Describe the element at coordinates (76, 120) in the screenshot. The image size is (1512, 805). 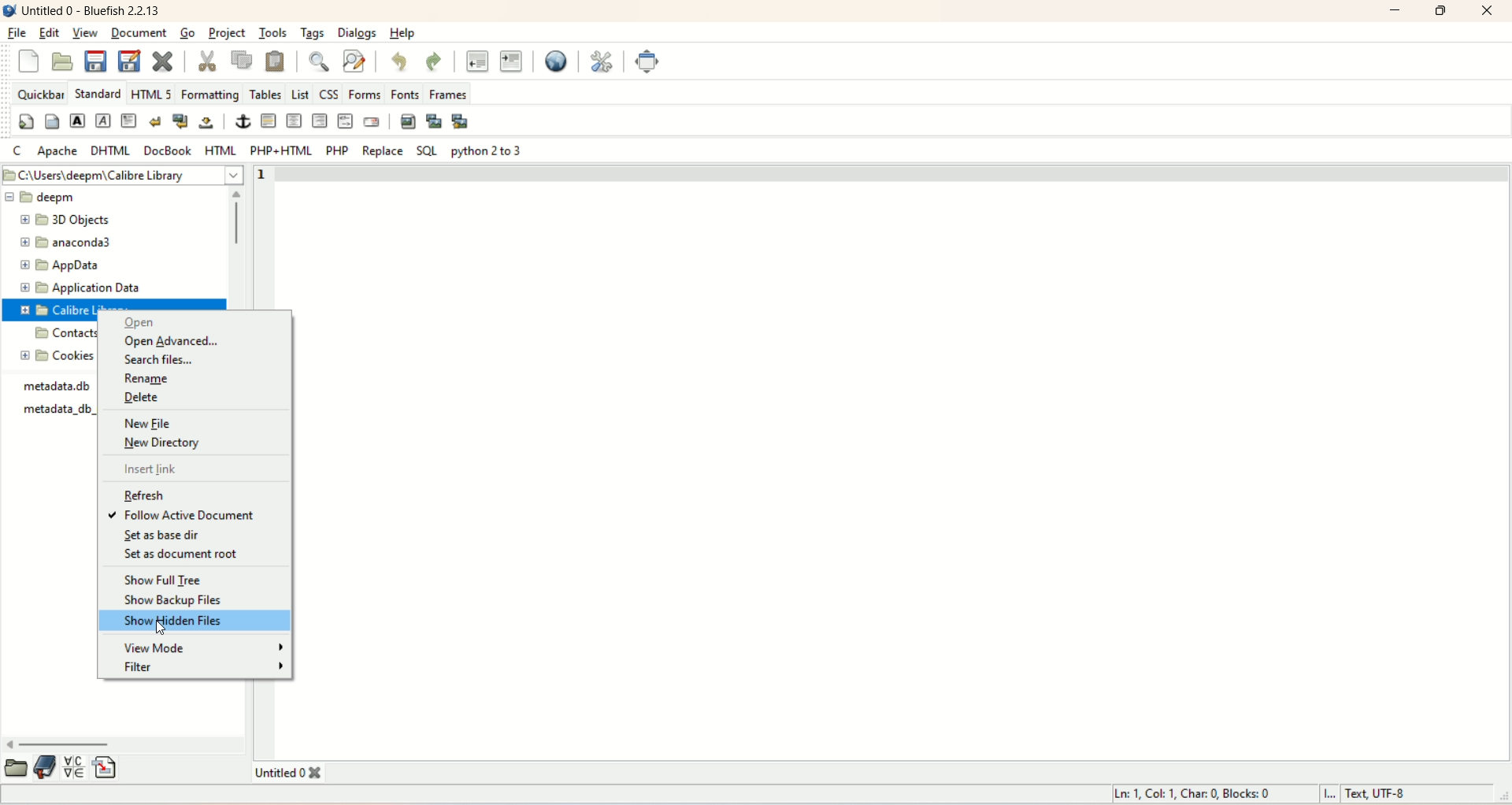
I see `strong` at that location.